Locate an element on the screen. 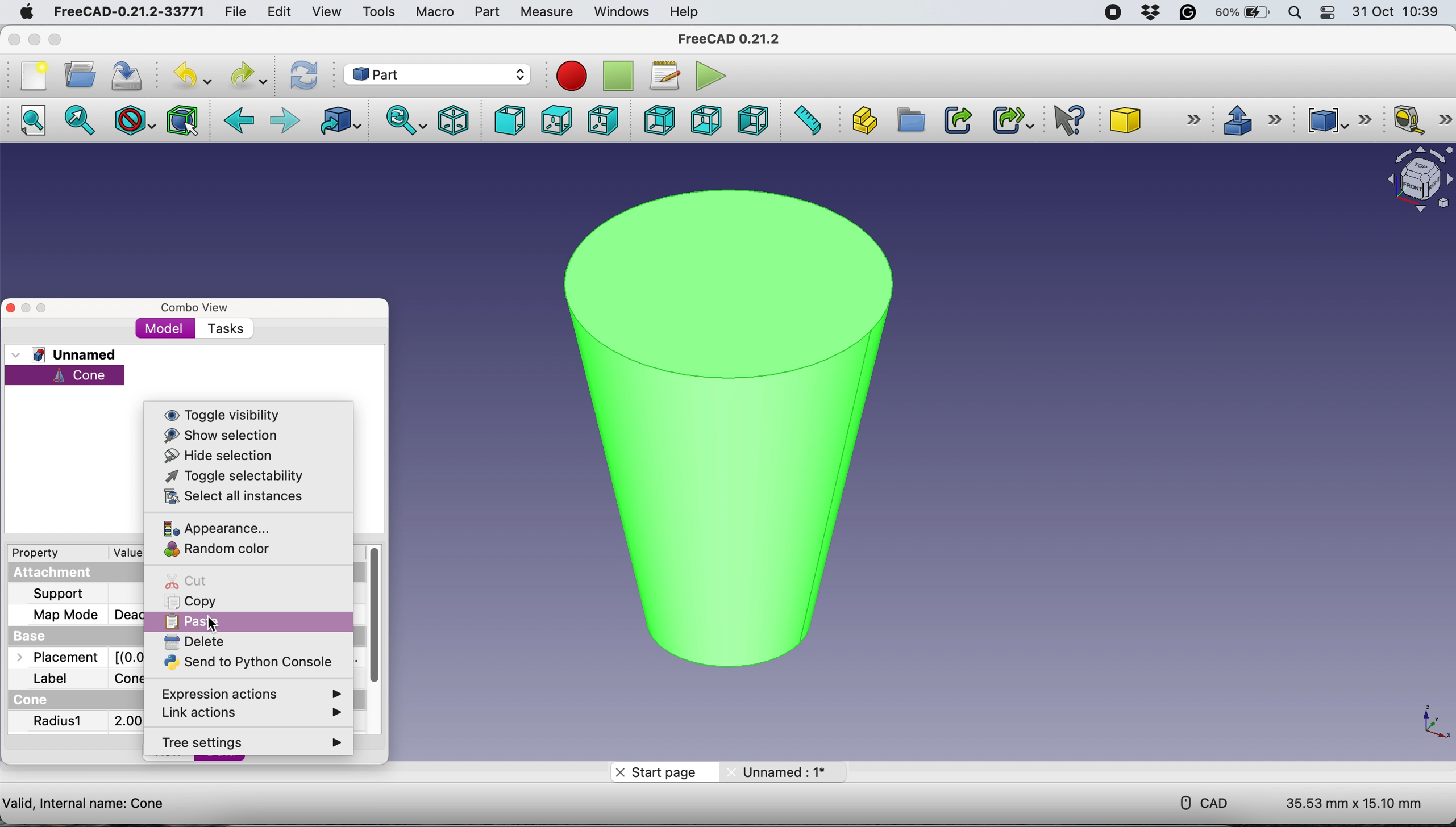 This screenshot has height=827, width=1456. screen recorder is located at coordinates (1109, 12).